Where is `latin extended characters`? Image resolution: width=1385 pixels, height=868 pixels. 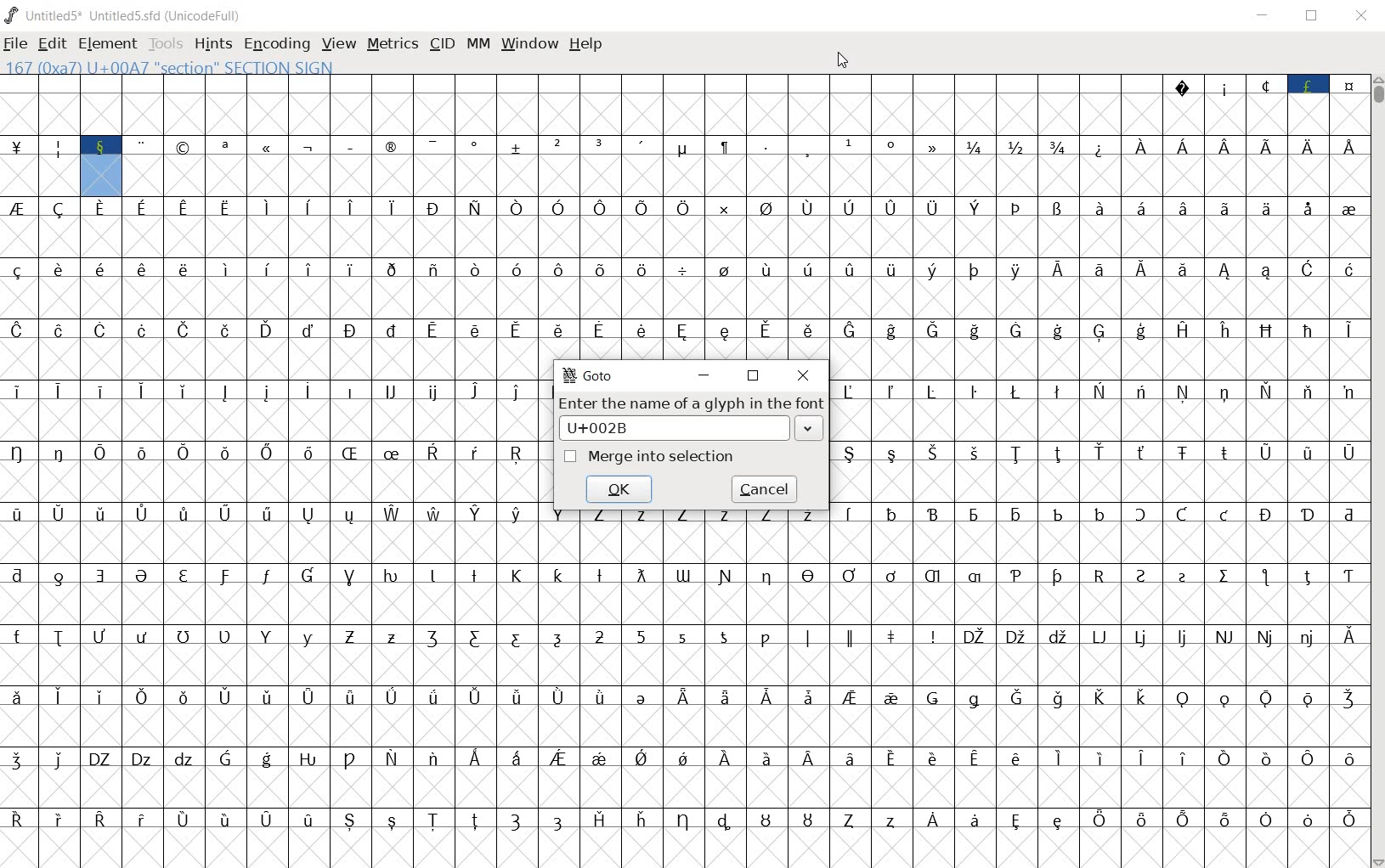
latin extended characters is located at coordinates (273, 442).